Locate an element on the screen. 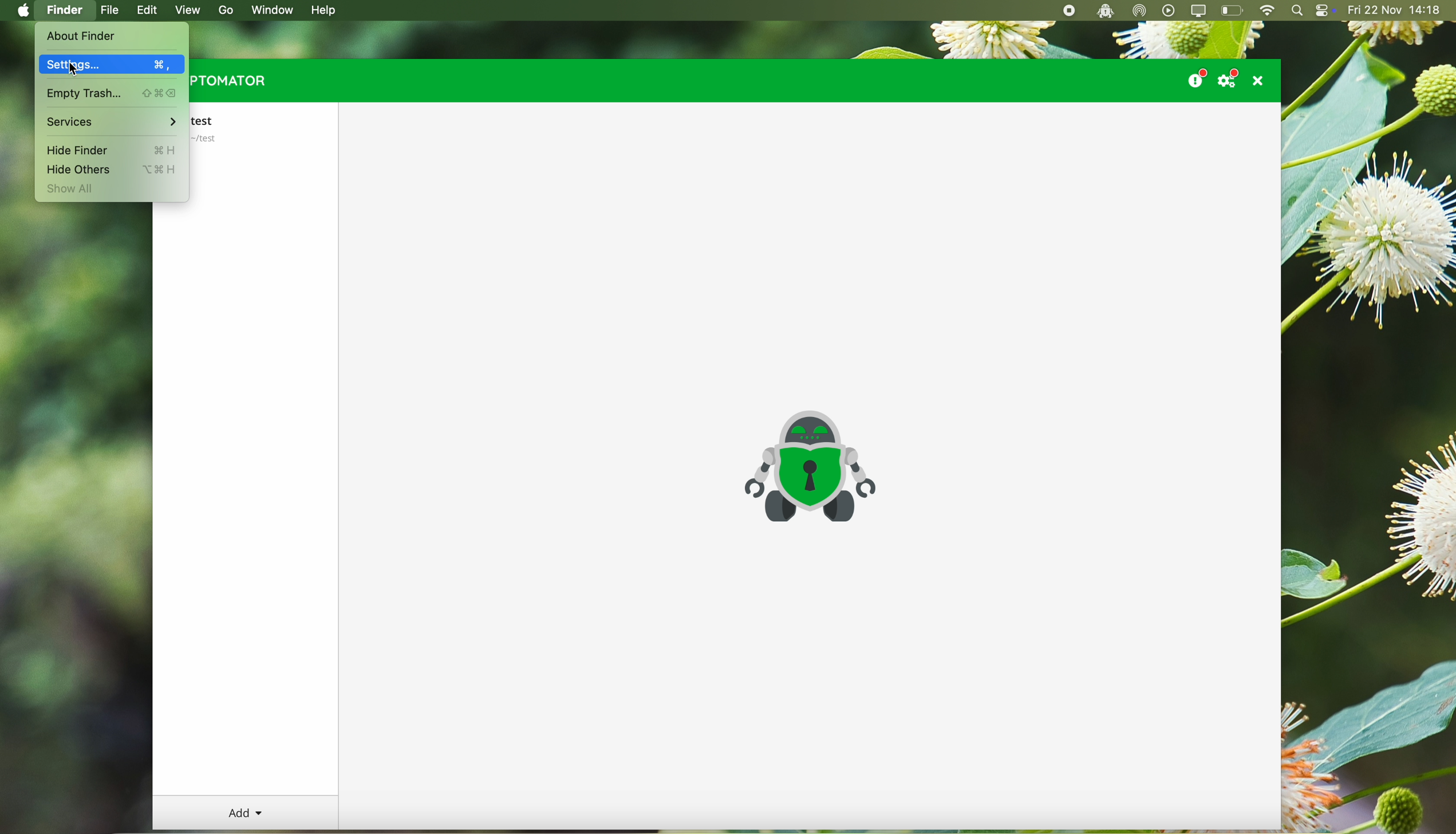 Image resolution: width=1456 pixels, height=834 pixels. Apple icon is located at coordinates (20, 10).